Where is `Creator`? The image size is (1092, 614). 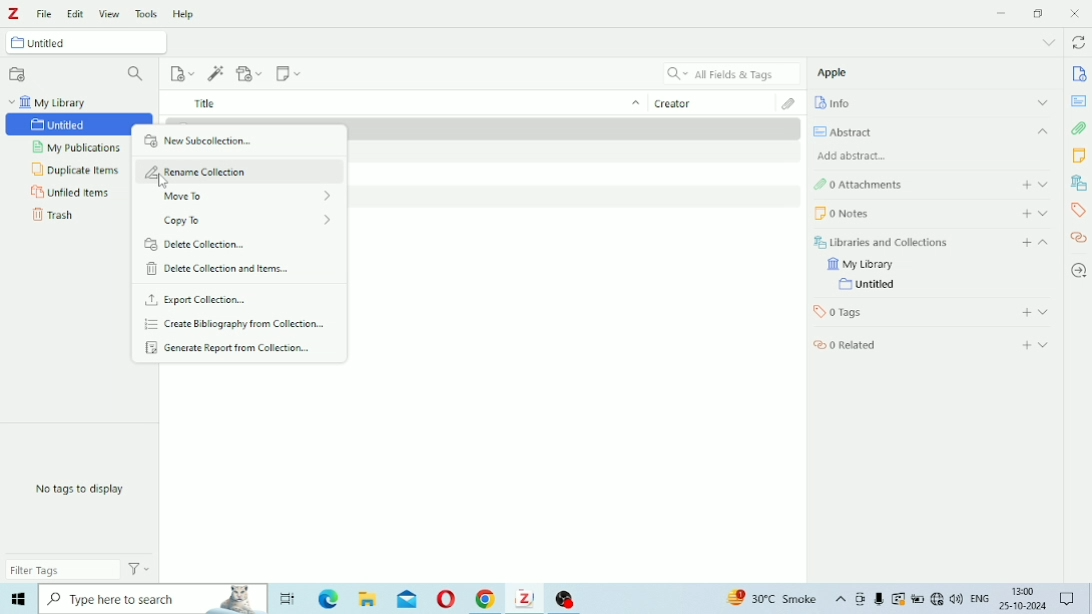
Creator is located at coordinates (715, 101).